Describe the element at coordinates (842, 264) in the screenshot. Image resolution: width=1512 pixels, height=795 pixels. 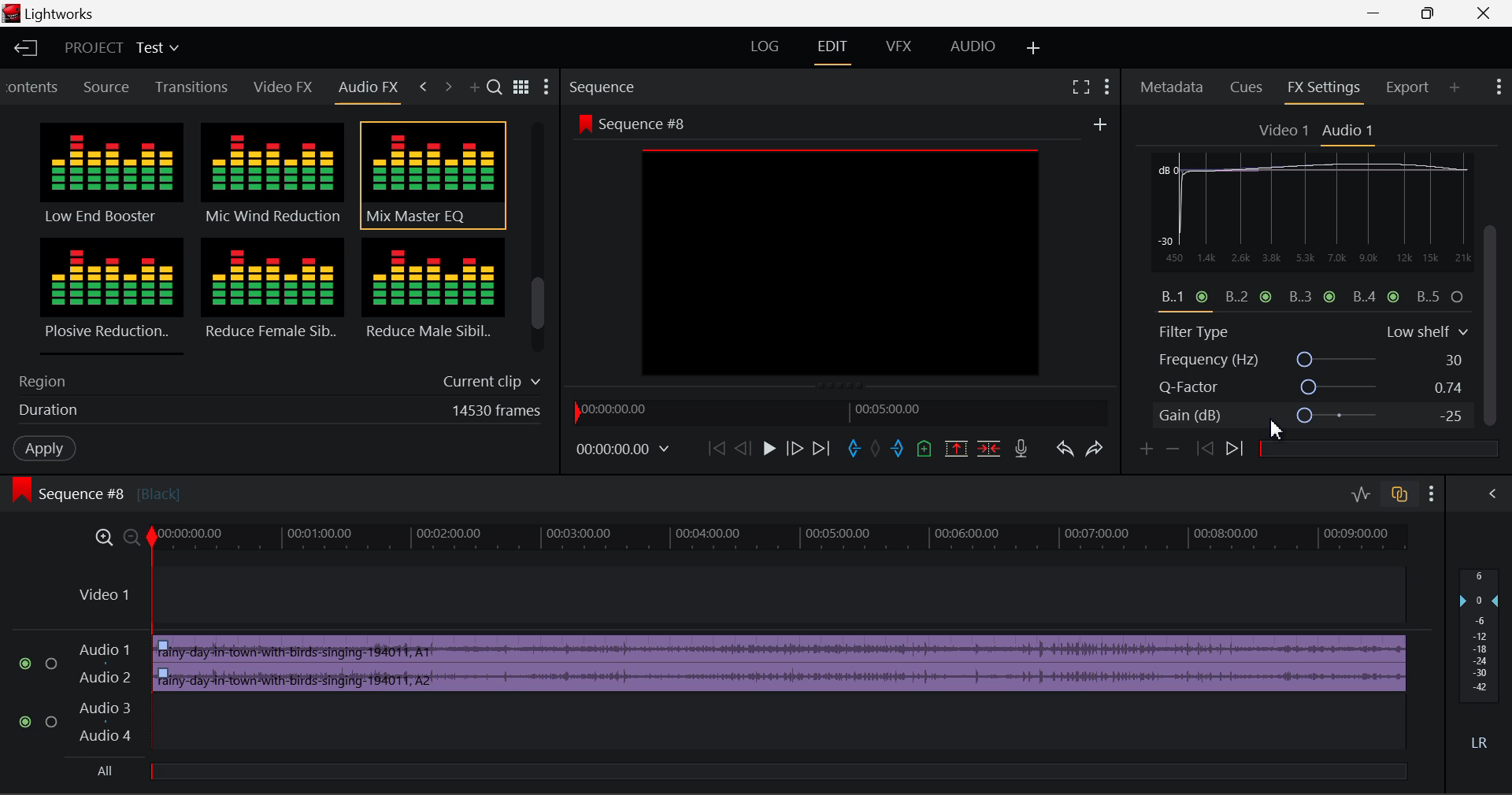
I see `preview` at that location.